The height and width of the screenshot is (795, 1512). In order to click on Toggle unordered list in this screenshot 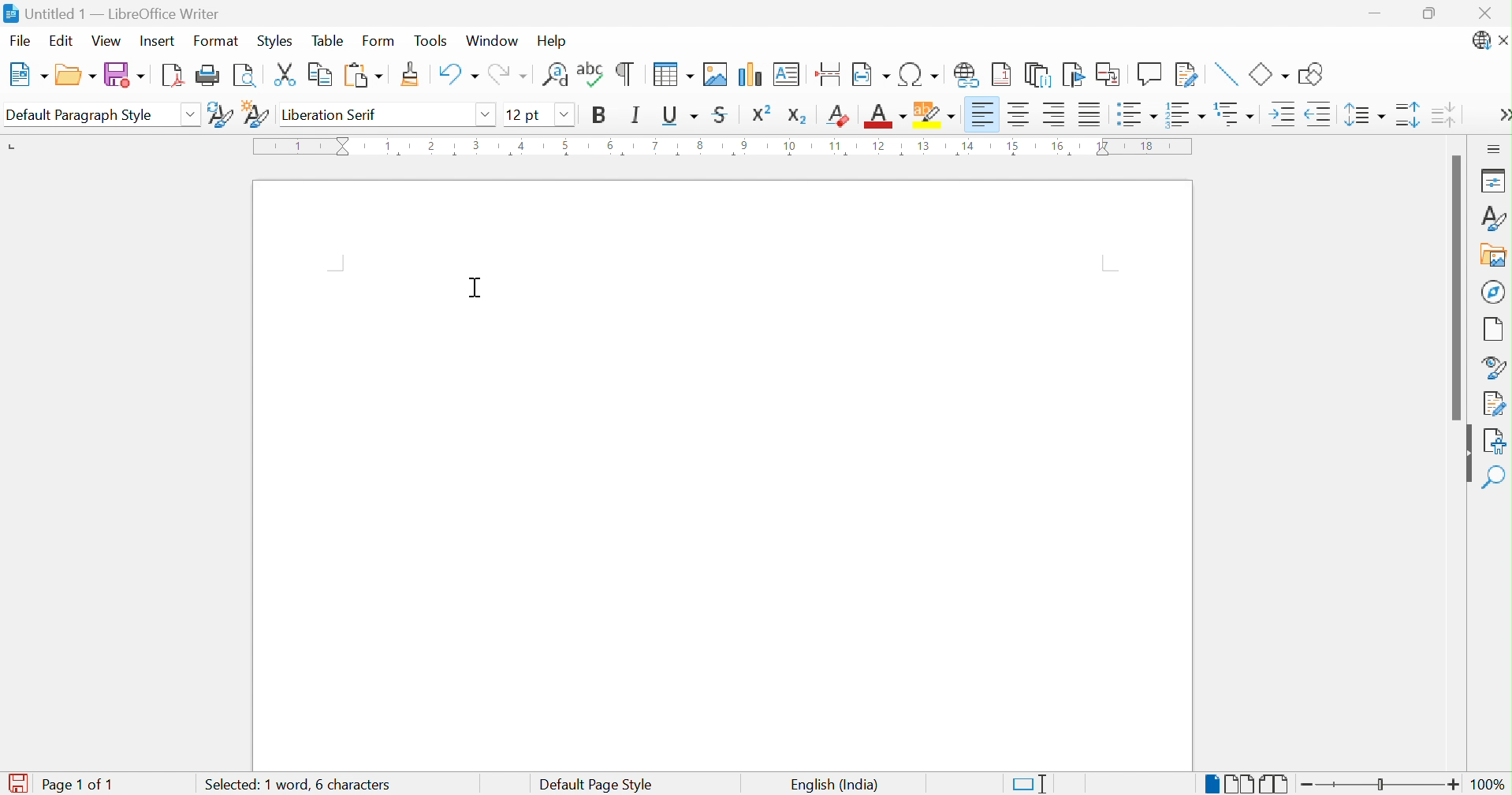, I will do `click(1136, 116)`.